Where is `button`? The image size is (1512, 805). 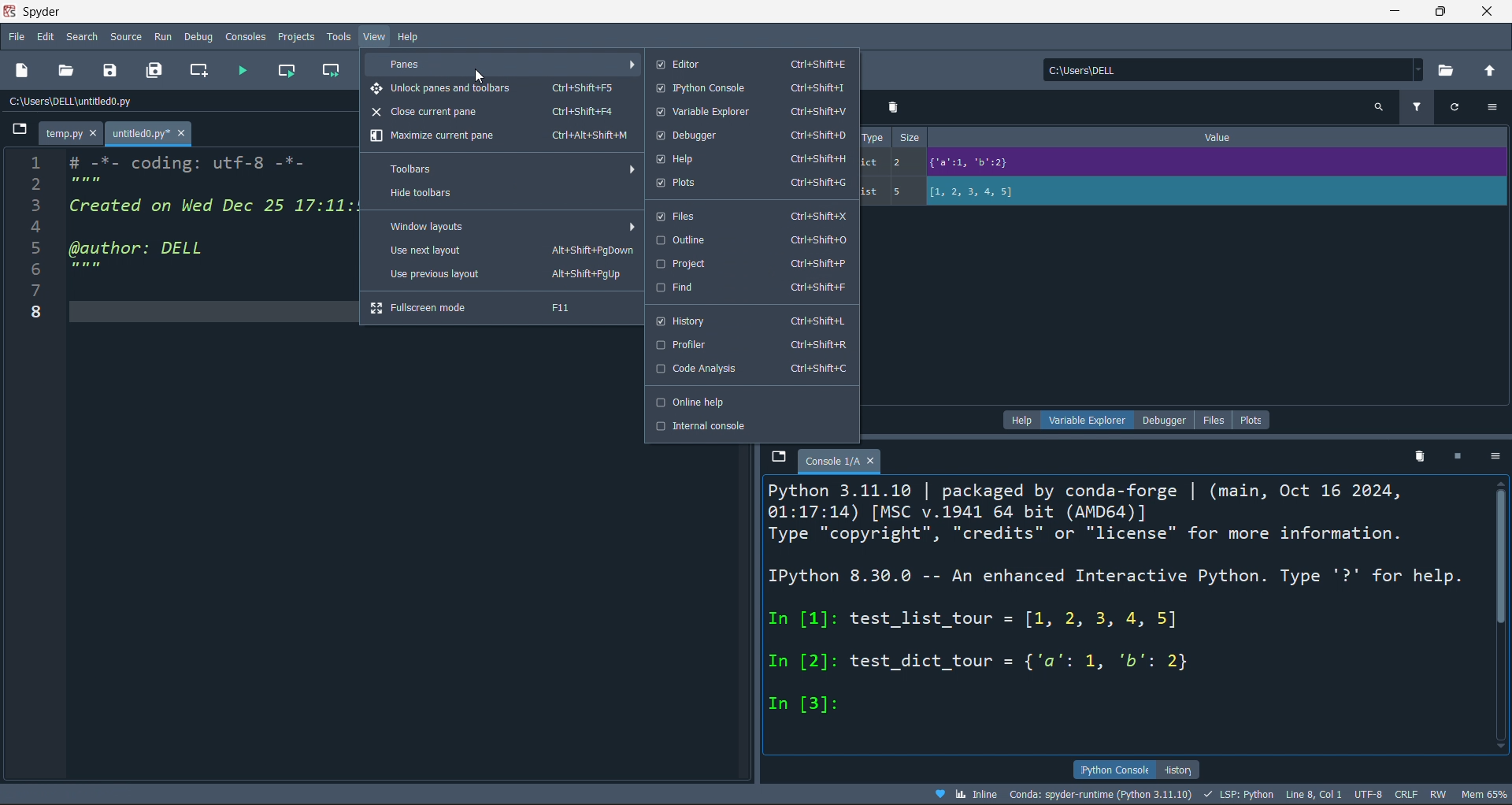
button is located at coordinates (18, 133).